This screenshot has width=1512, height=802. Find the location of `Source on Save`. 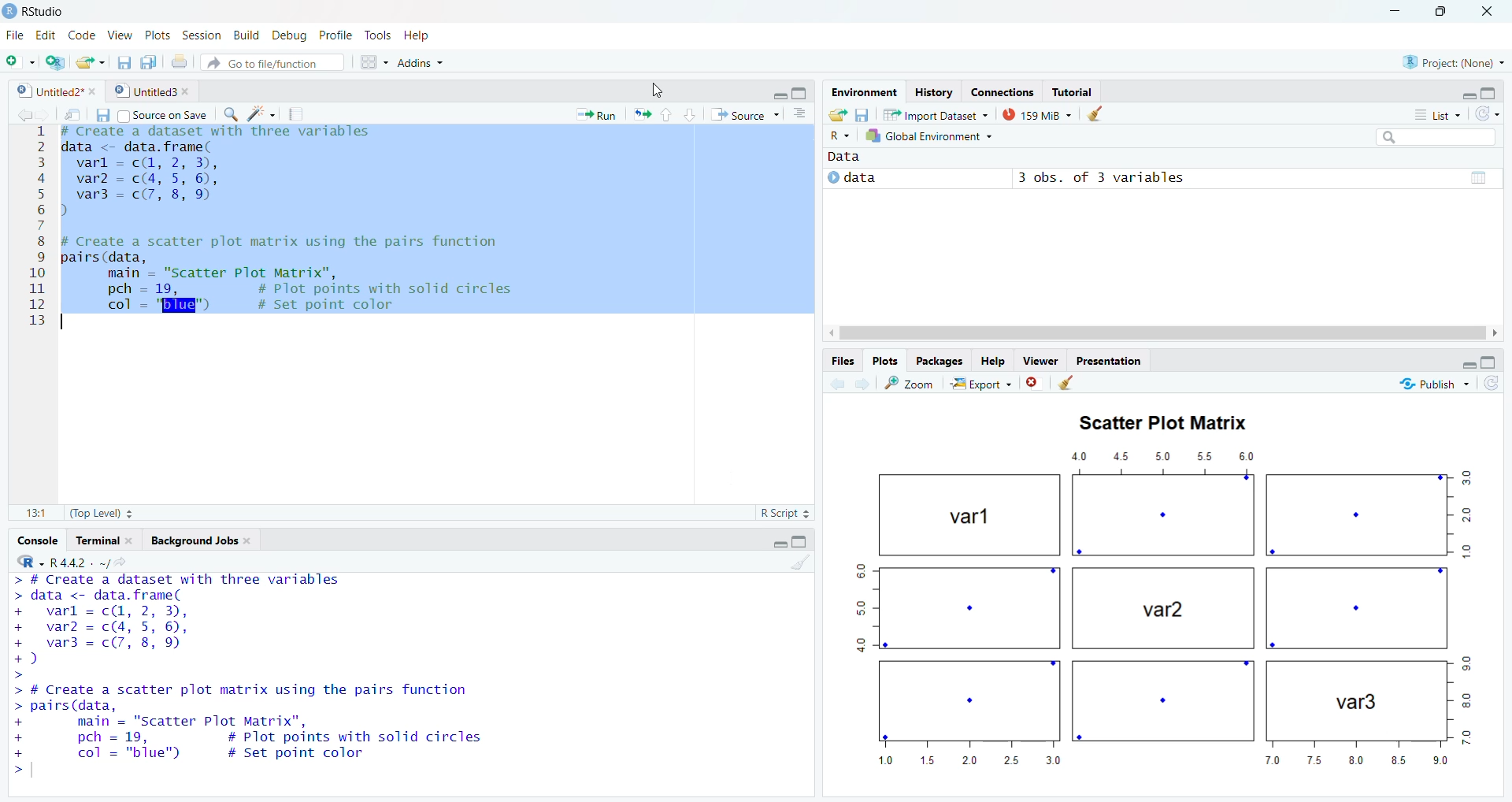

Source on Save is located at coordinates (166, 114).